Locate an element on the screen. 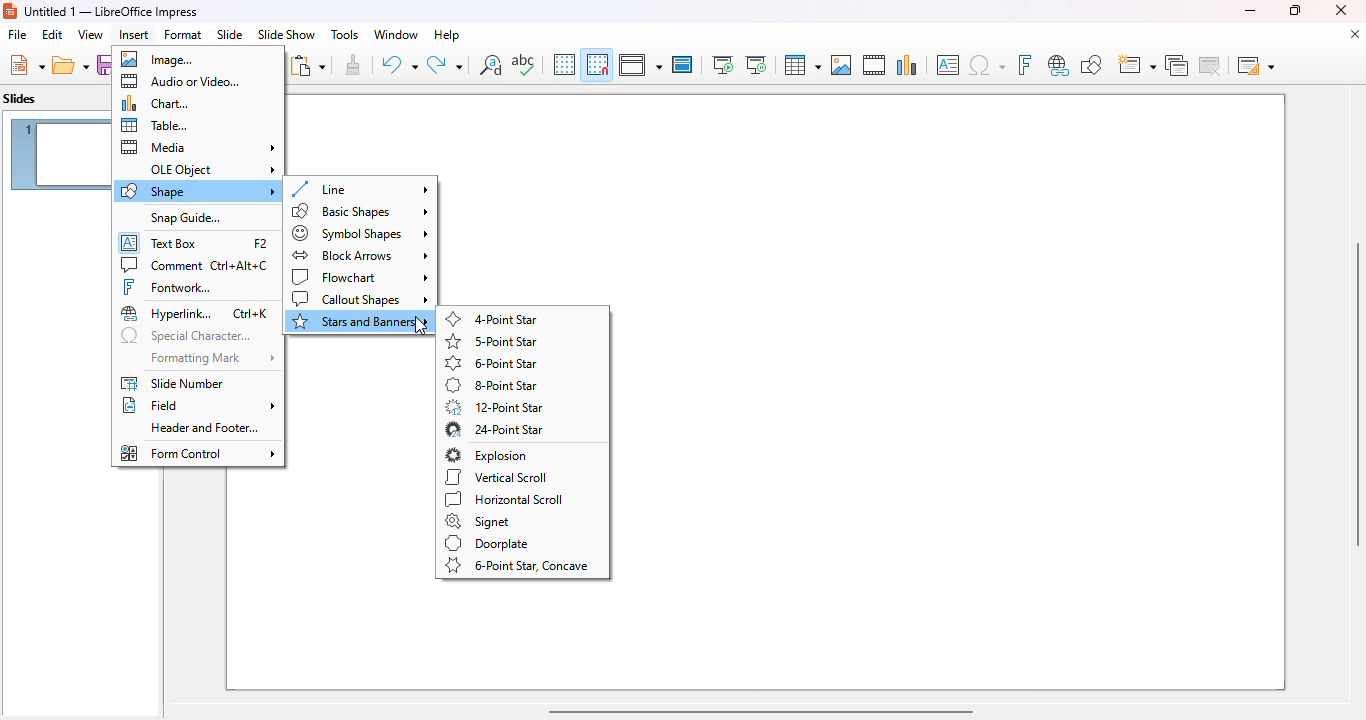  field is located at coordinates (199, 406).